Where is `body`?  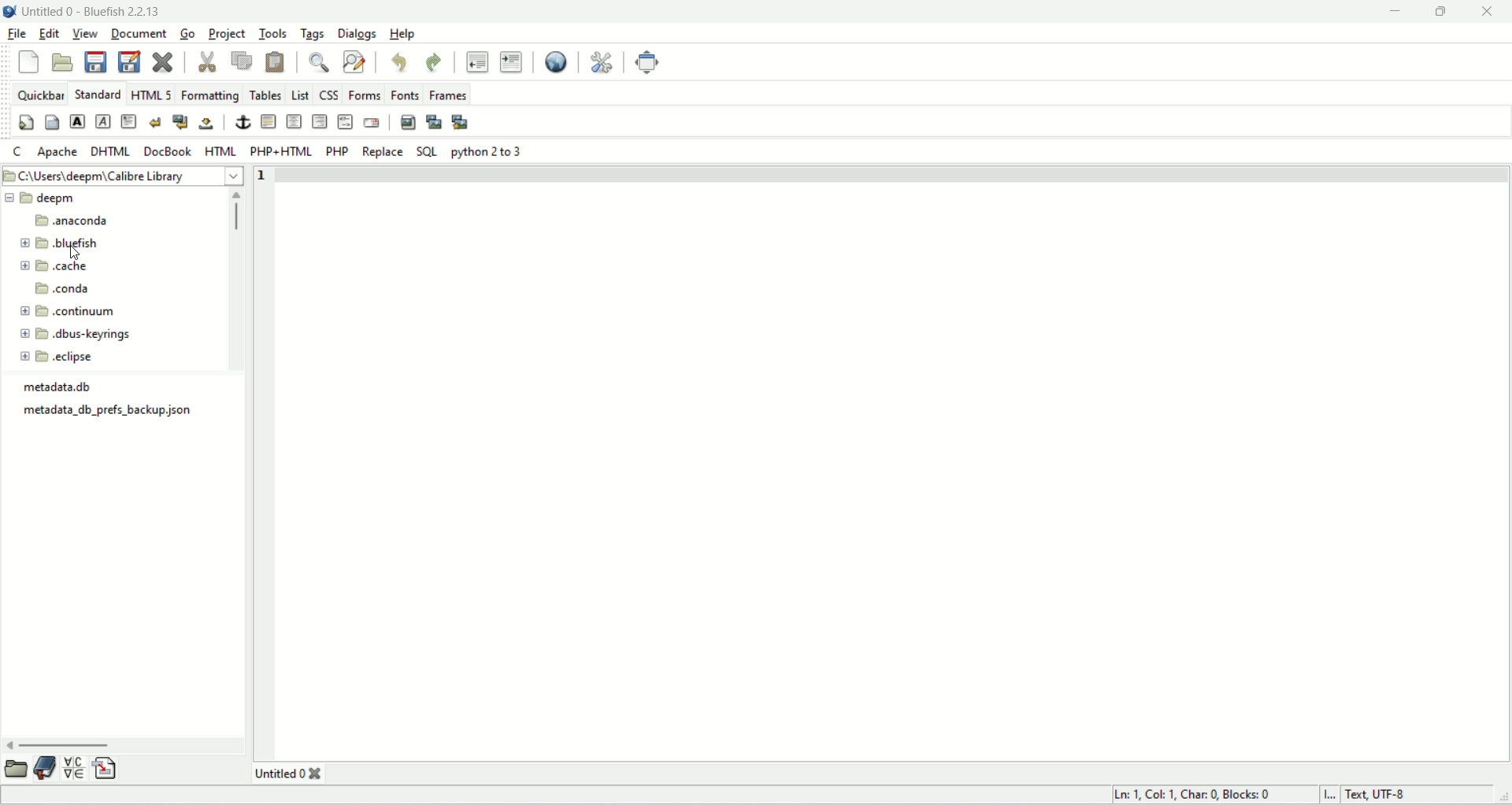
body is located at coordinates (51, 120).